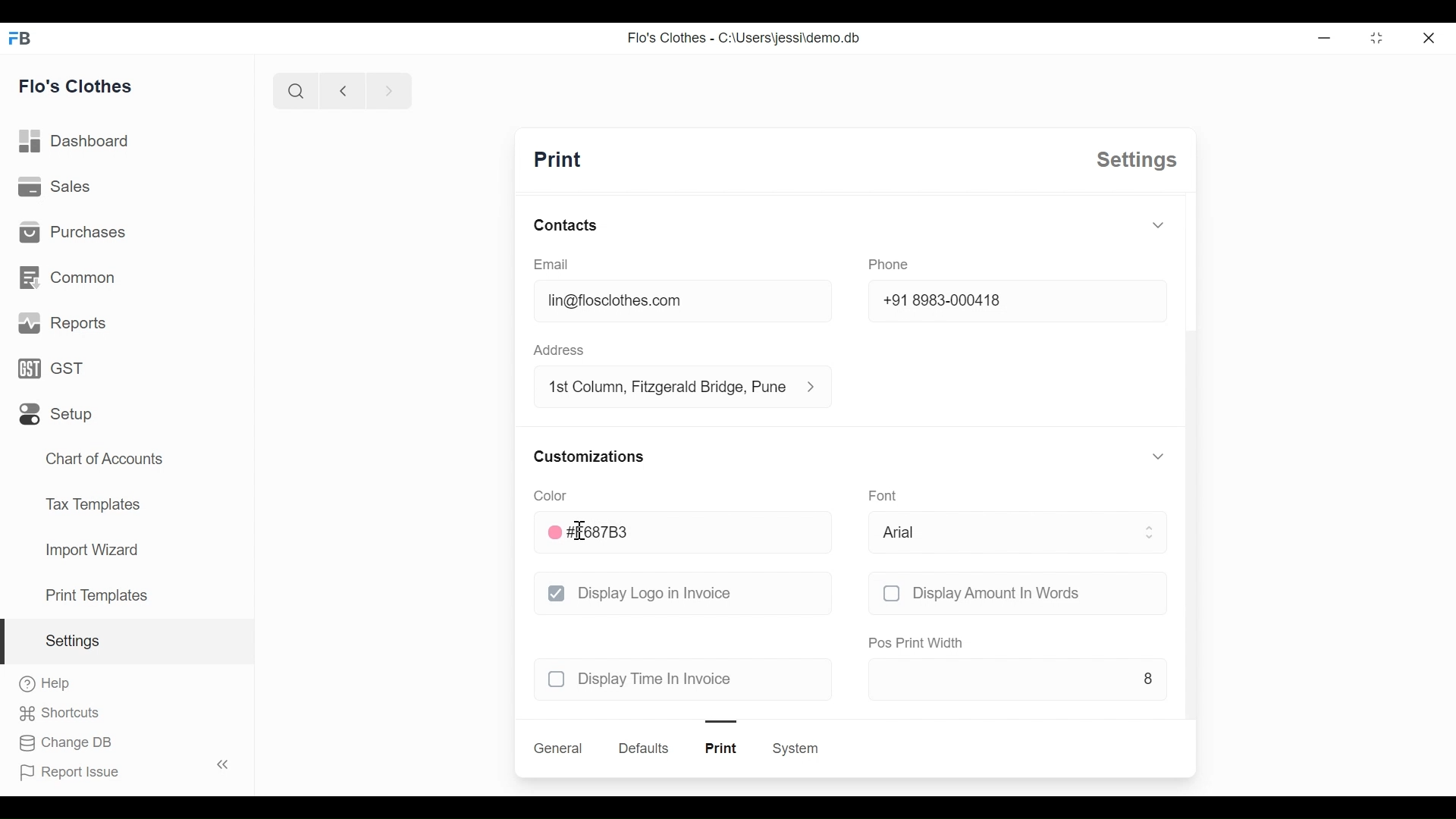 The image size is (1456, 819). Describe the element at coordinates (916, 644) in the screenshot. I see `pos print width` at that location.